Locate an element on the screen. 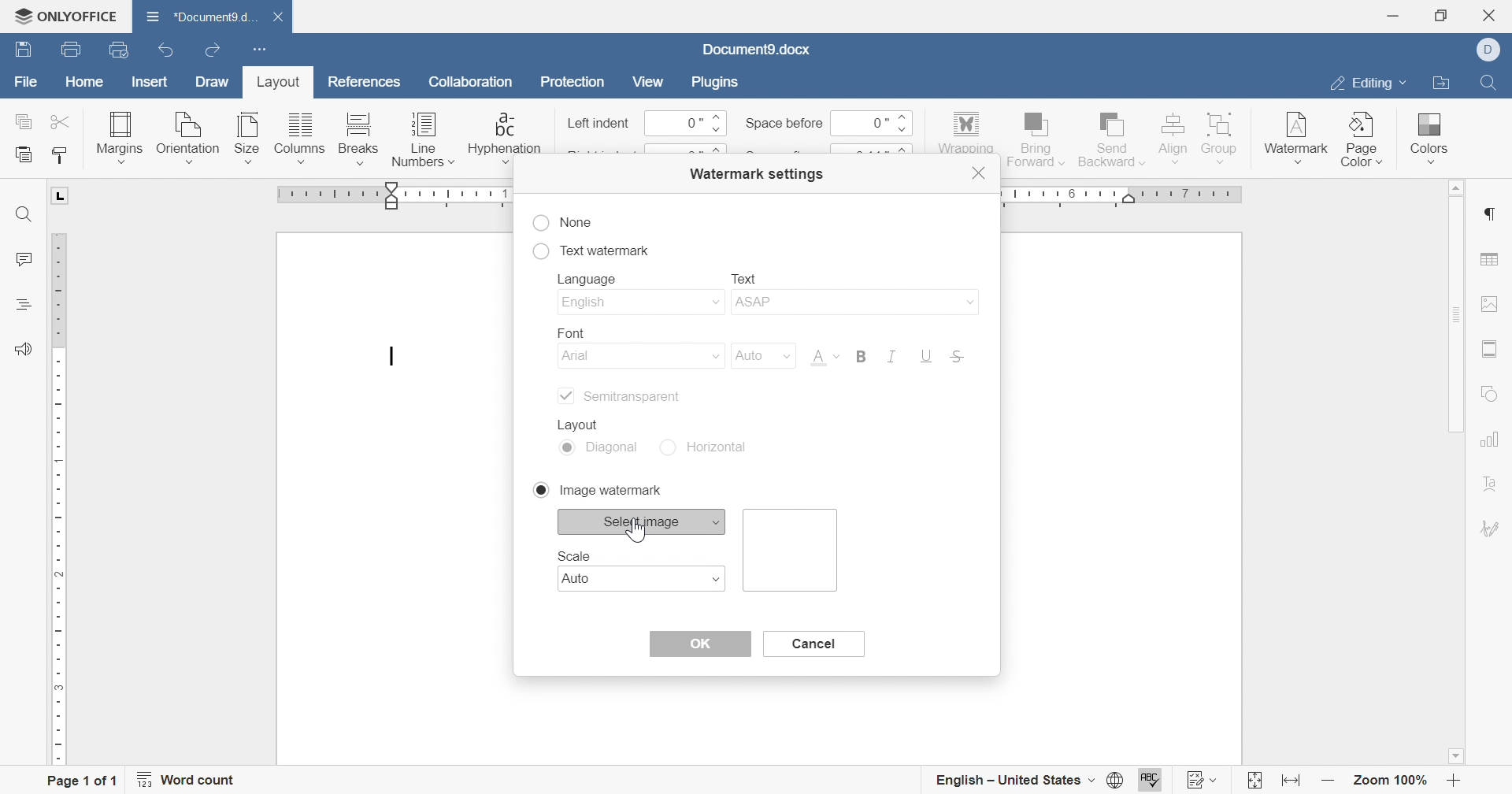  text art settigns is located at coordinates (1491, 484).